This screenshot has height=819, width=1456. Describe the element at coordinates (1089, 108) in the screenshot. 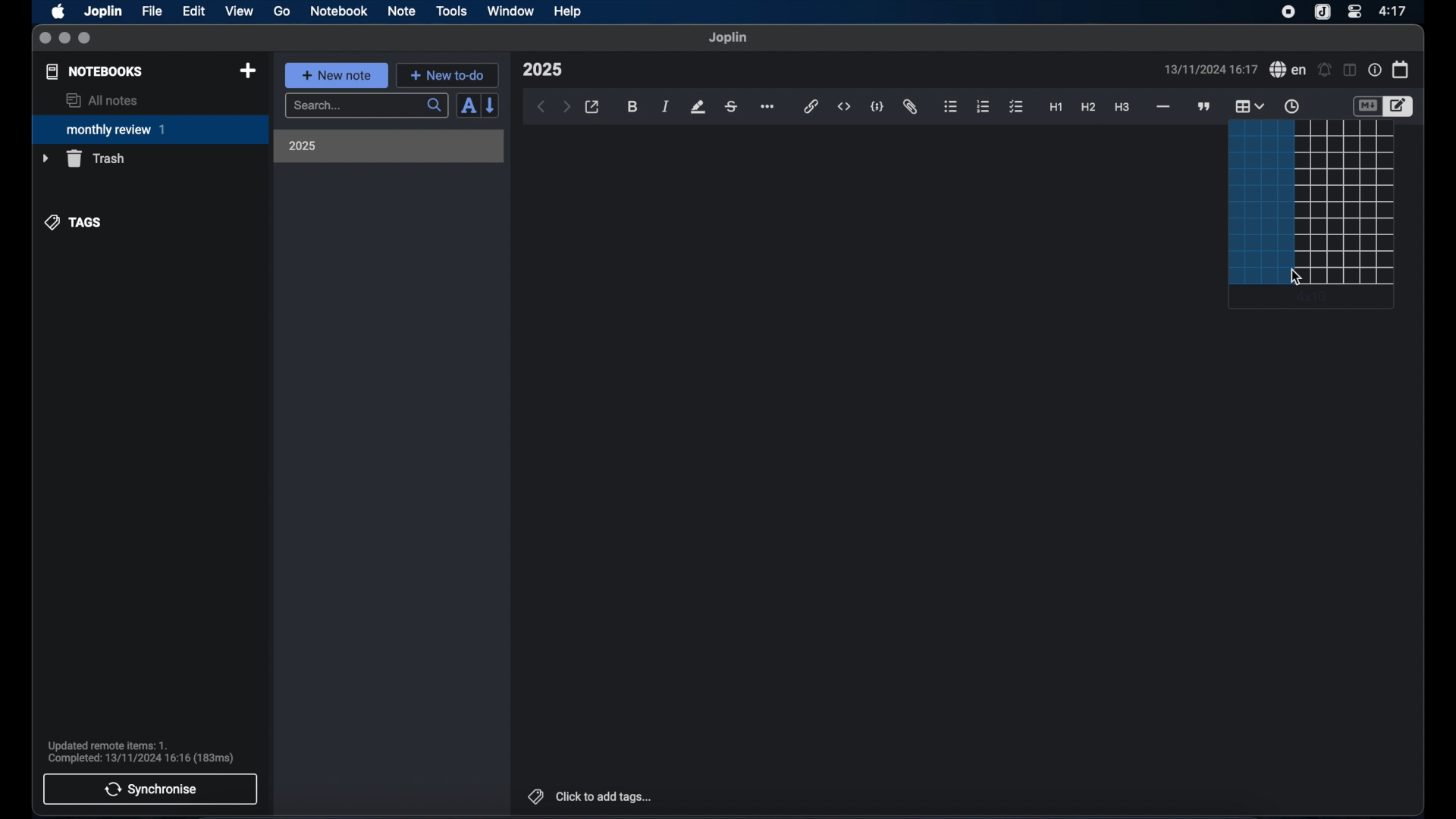

I see `heading 2` at that location.